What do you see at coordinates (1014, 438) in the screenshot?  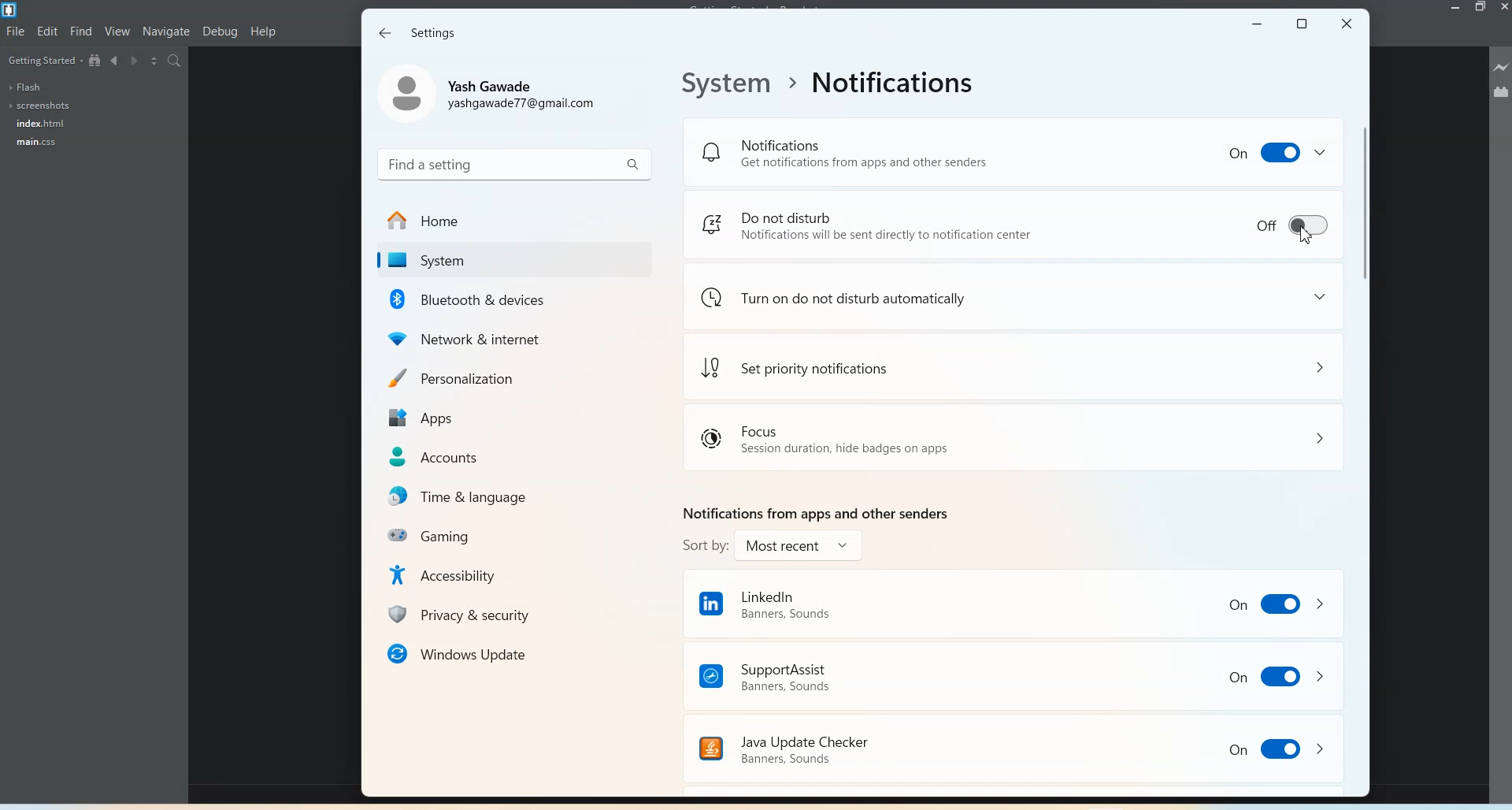 I see `Focus` at bounding box center [1014, 438].